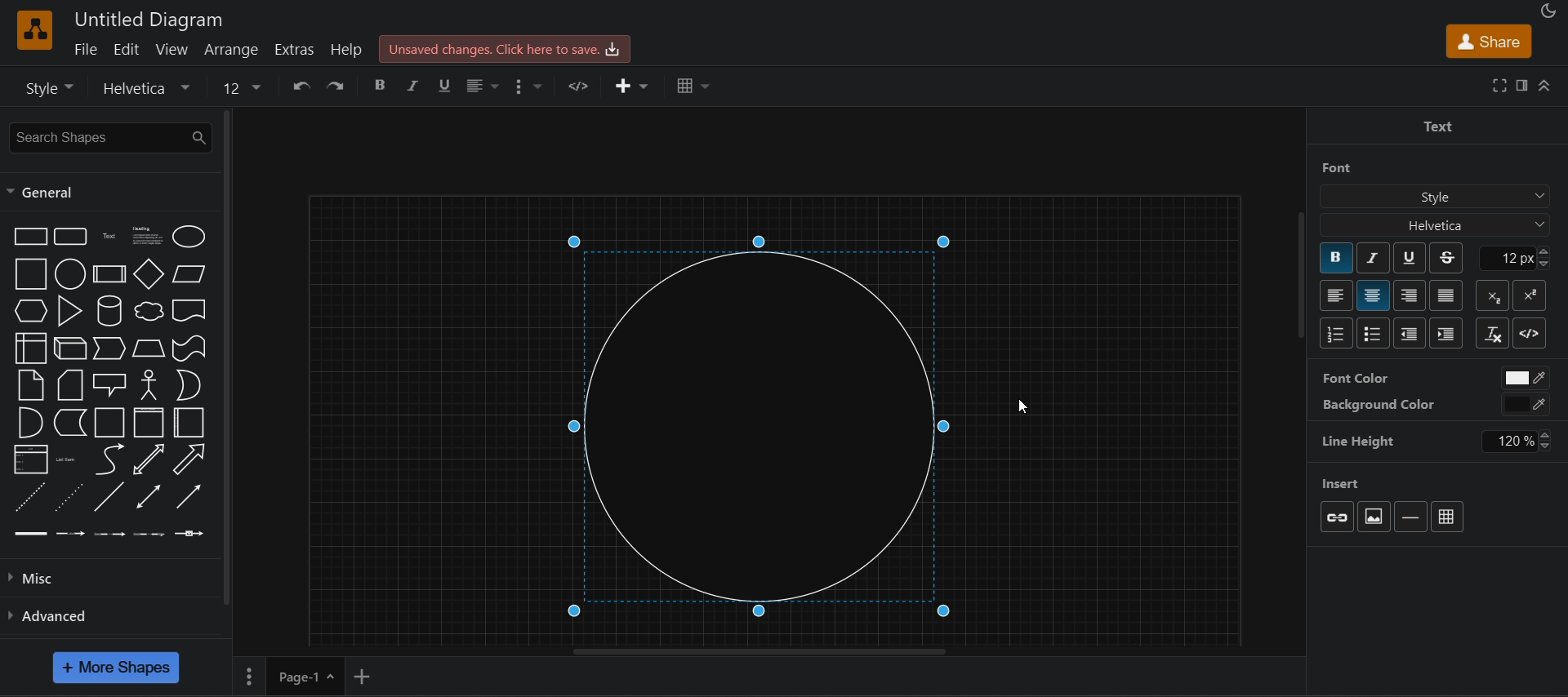 Image resolution: width=1568 pixels, height=697 pixels. What do you see at coordinates (629, 87) in the screenshot?
I see `insert` at bounding box center [629, 87].